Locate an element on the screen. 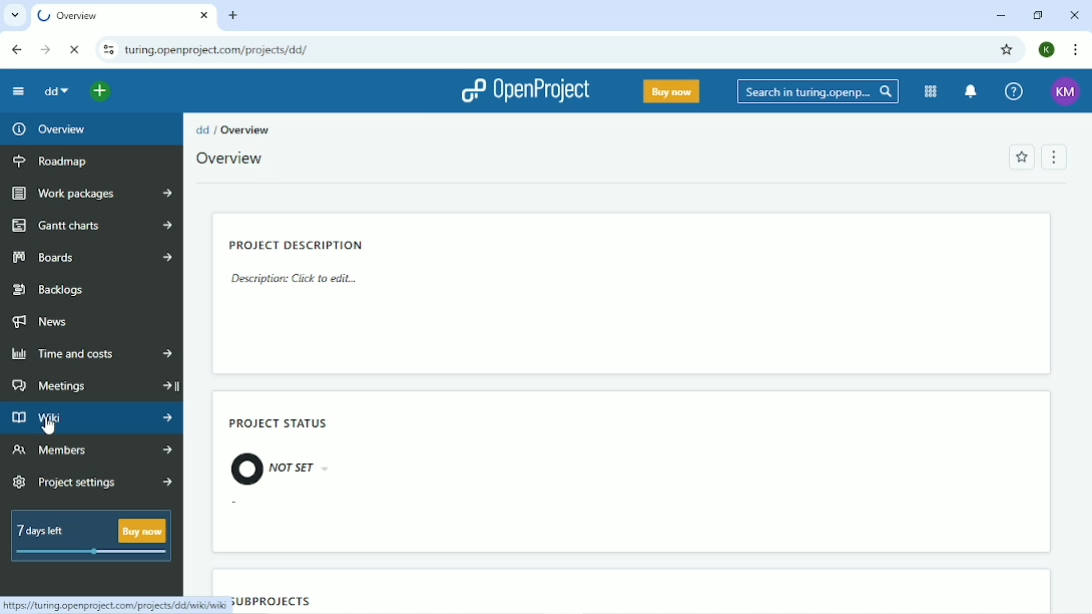  Meetings is located at coordinates (77, 382).